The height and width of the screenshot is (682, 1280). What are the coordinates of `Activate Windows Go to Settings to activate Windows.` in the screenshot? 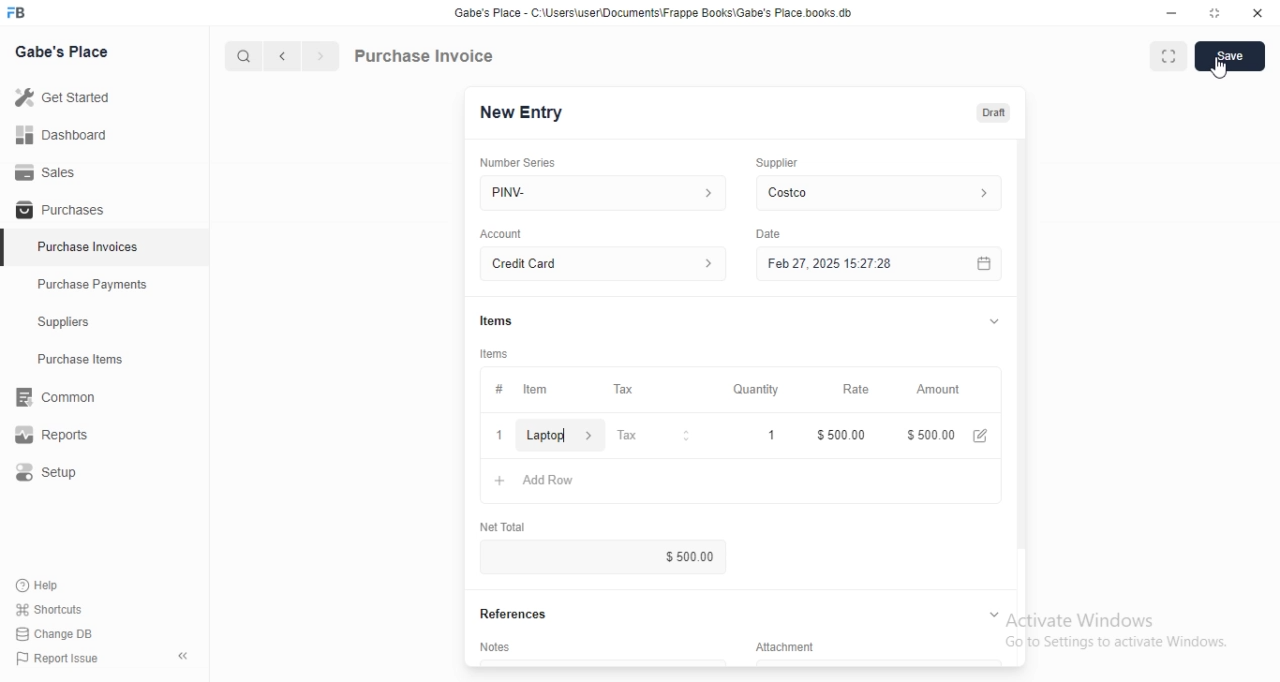 It's located at (1117, 630).